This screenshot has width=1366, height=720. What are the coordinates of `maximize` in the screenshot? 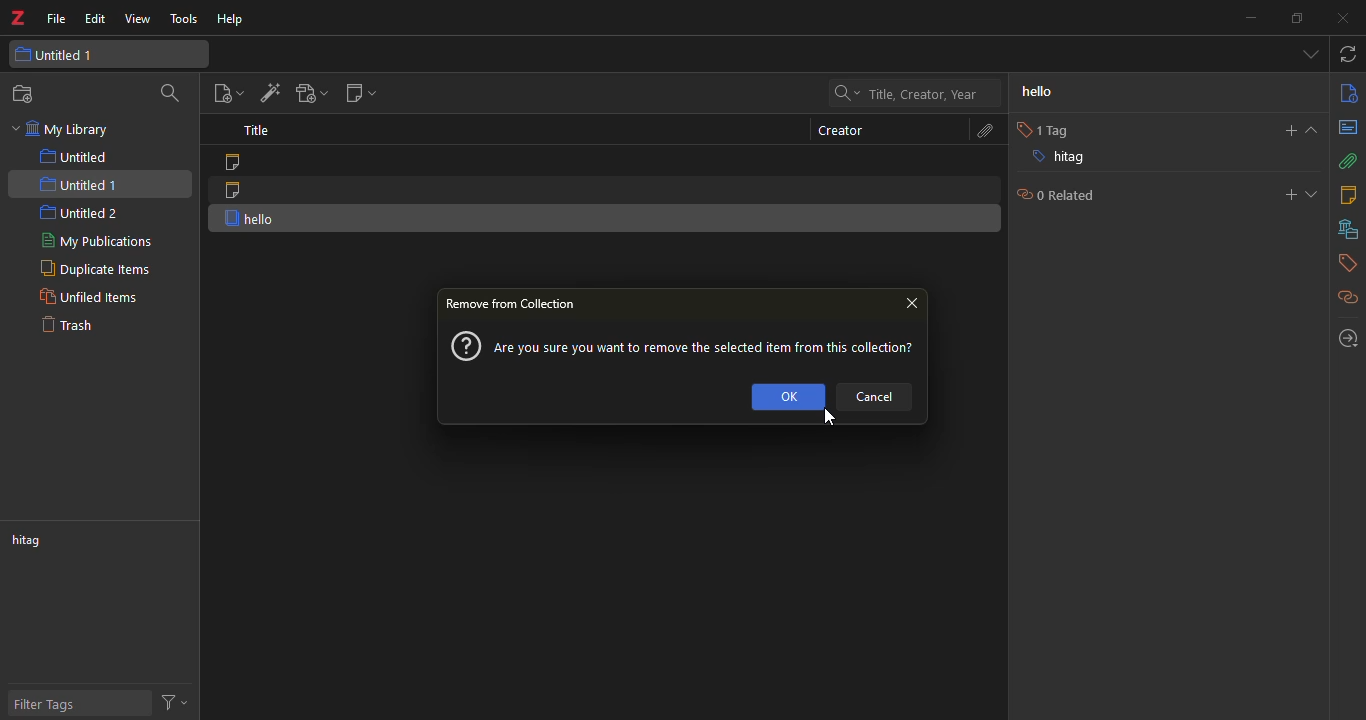 It's located at (1294, 18).